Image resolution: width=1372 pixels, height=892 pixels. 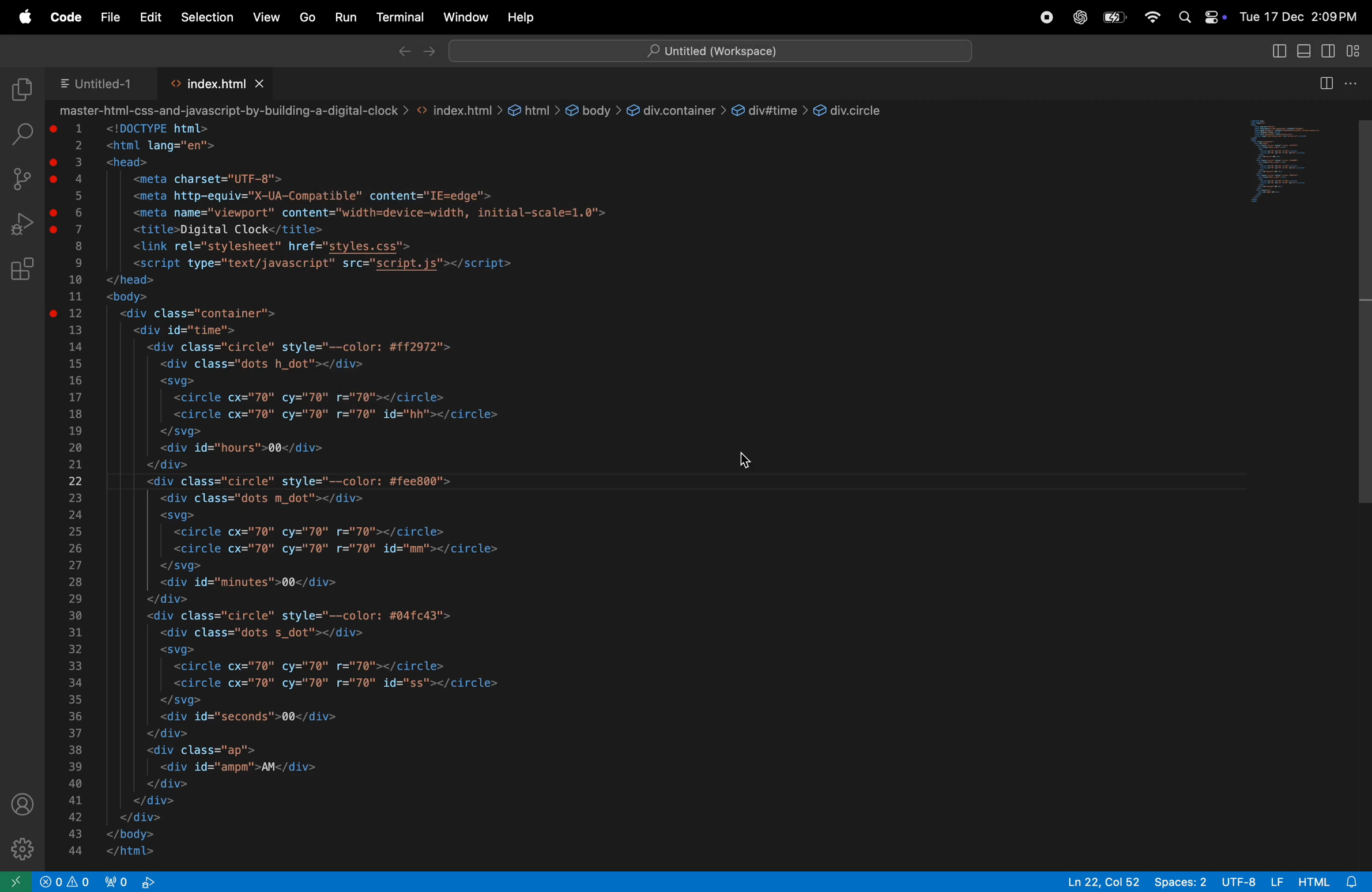 What do you see at coordinates (1252, 880) in the screenshot?
I see `UTF-8 LF` at bounding box center [1252, 880].